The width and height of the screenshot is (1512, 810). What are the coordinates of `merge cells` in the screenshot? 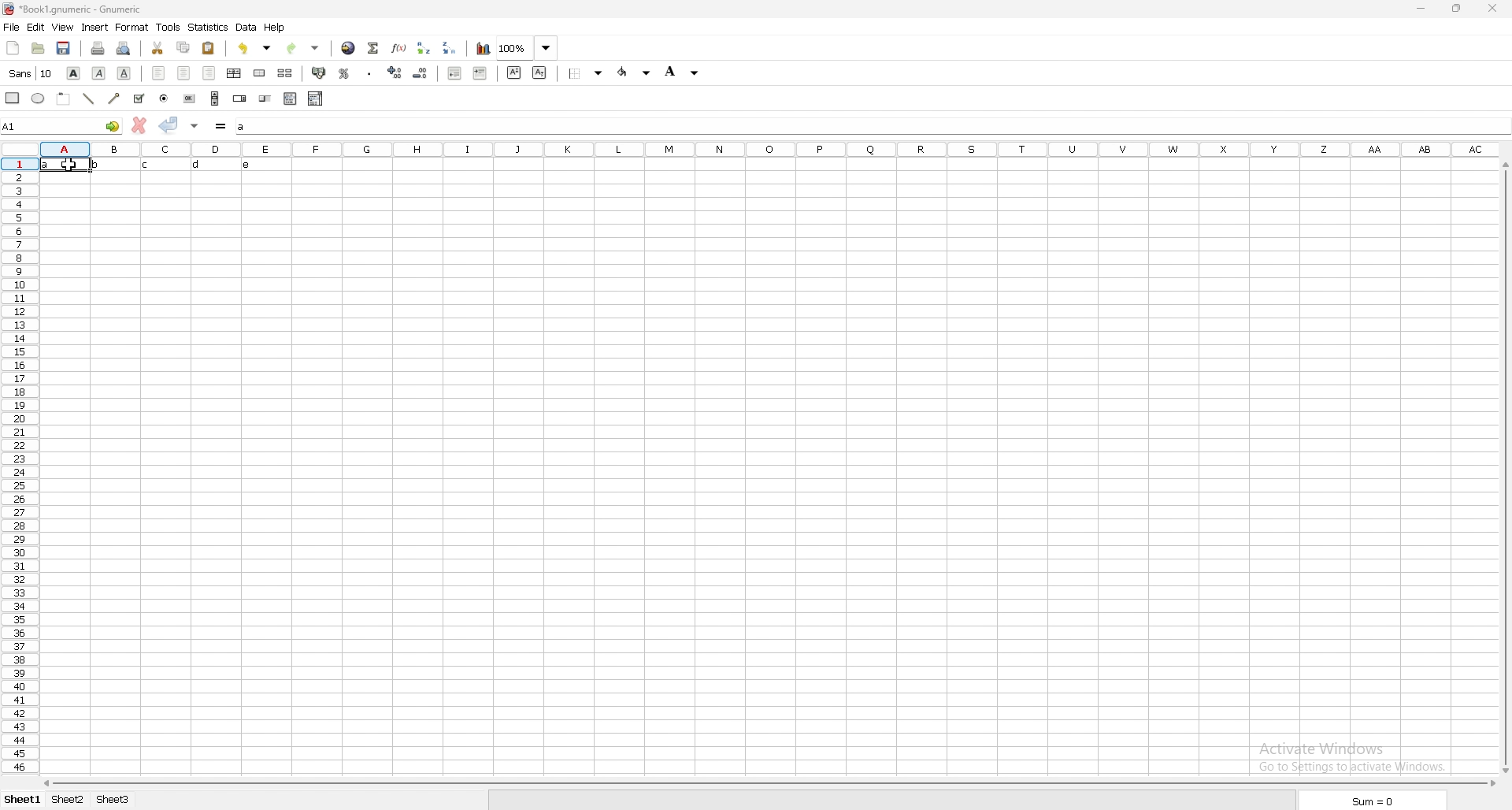 It's located at (259, 72).